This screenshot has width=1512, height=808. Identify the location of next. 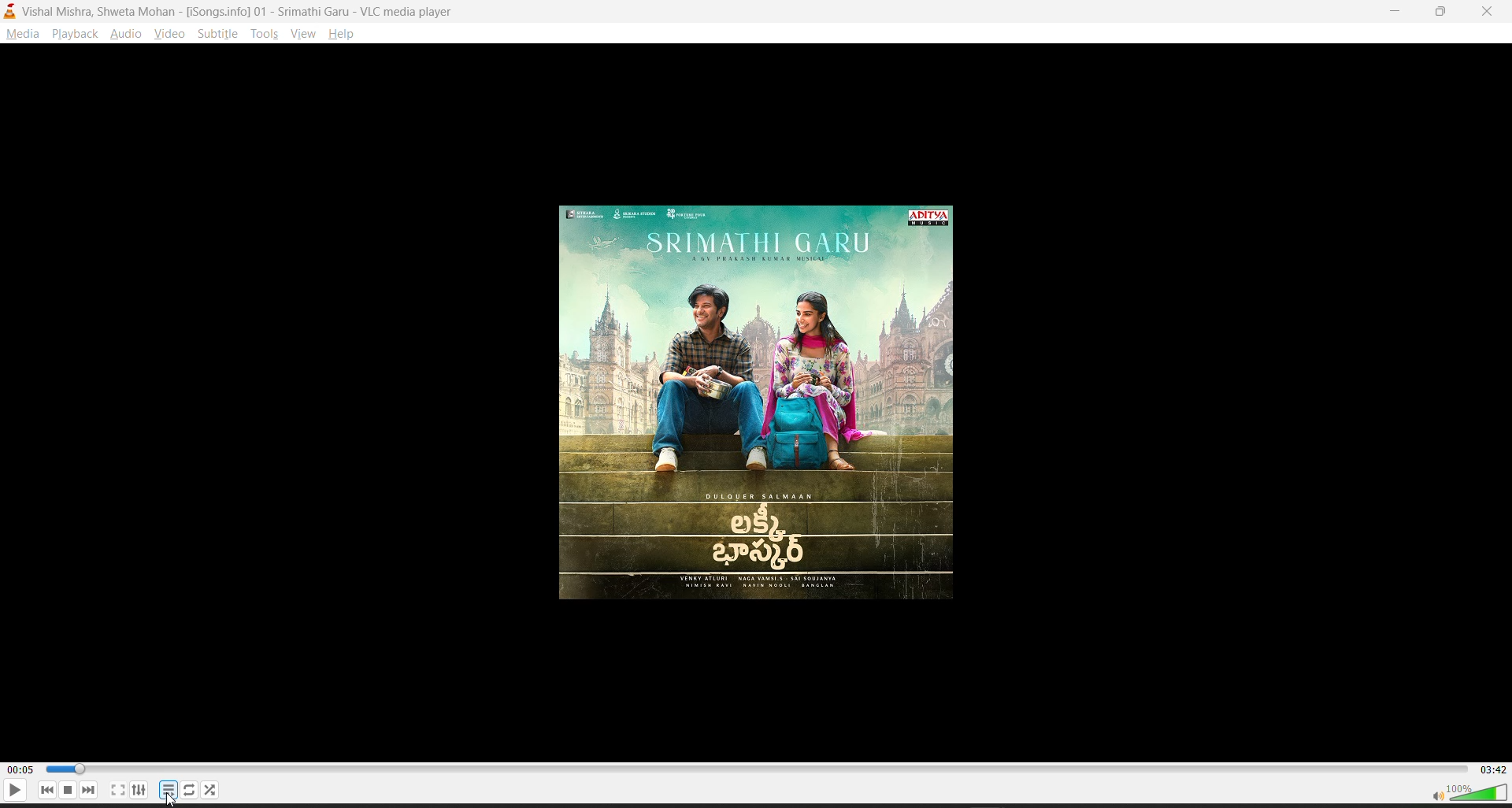
(90, 790).